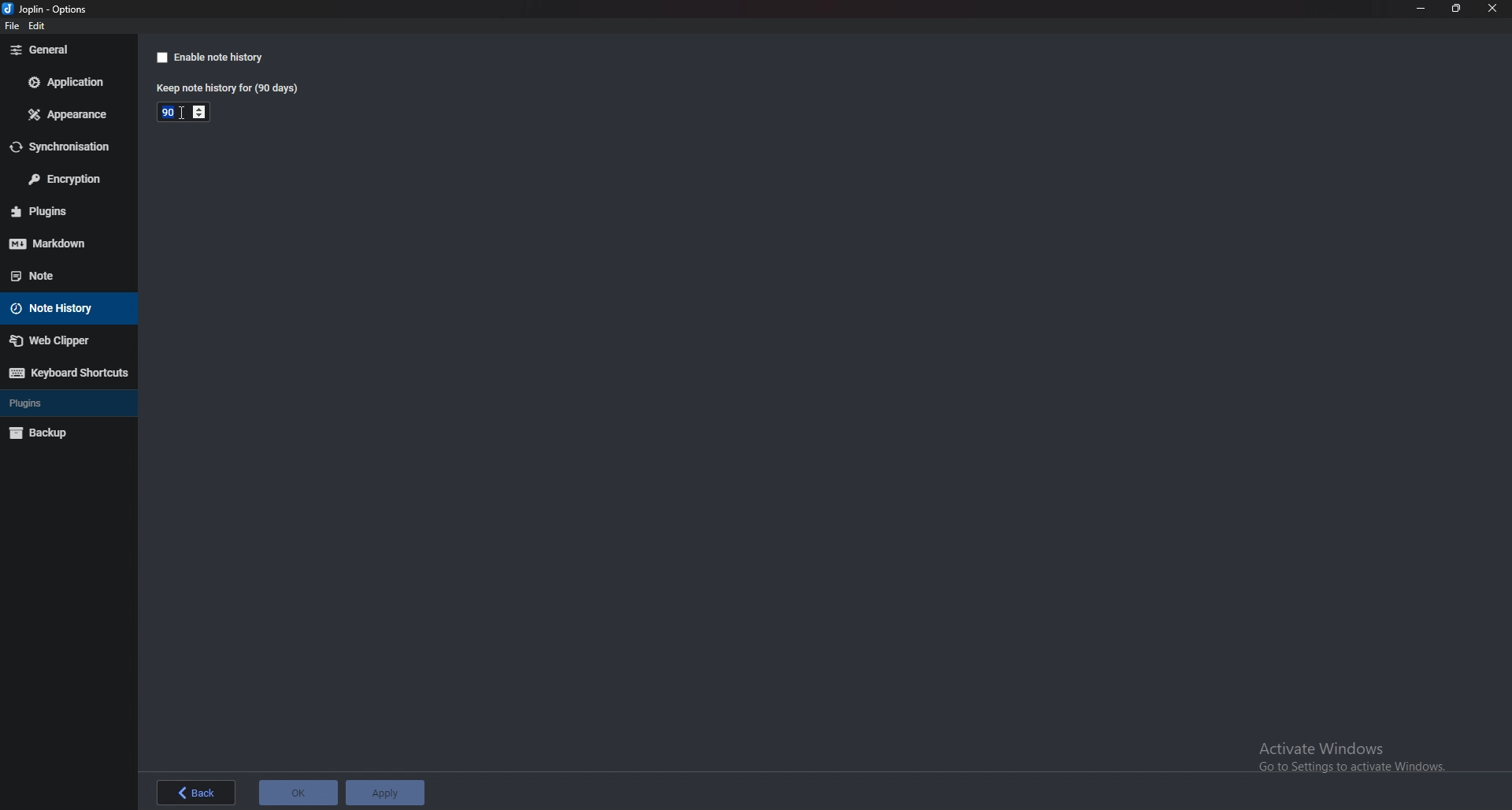  What do you see at coordinates (66, 178) in the screenshot?
I see `Encryption` at bounding box center [66, 178].